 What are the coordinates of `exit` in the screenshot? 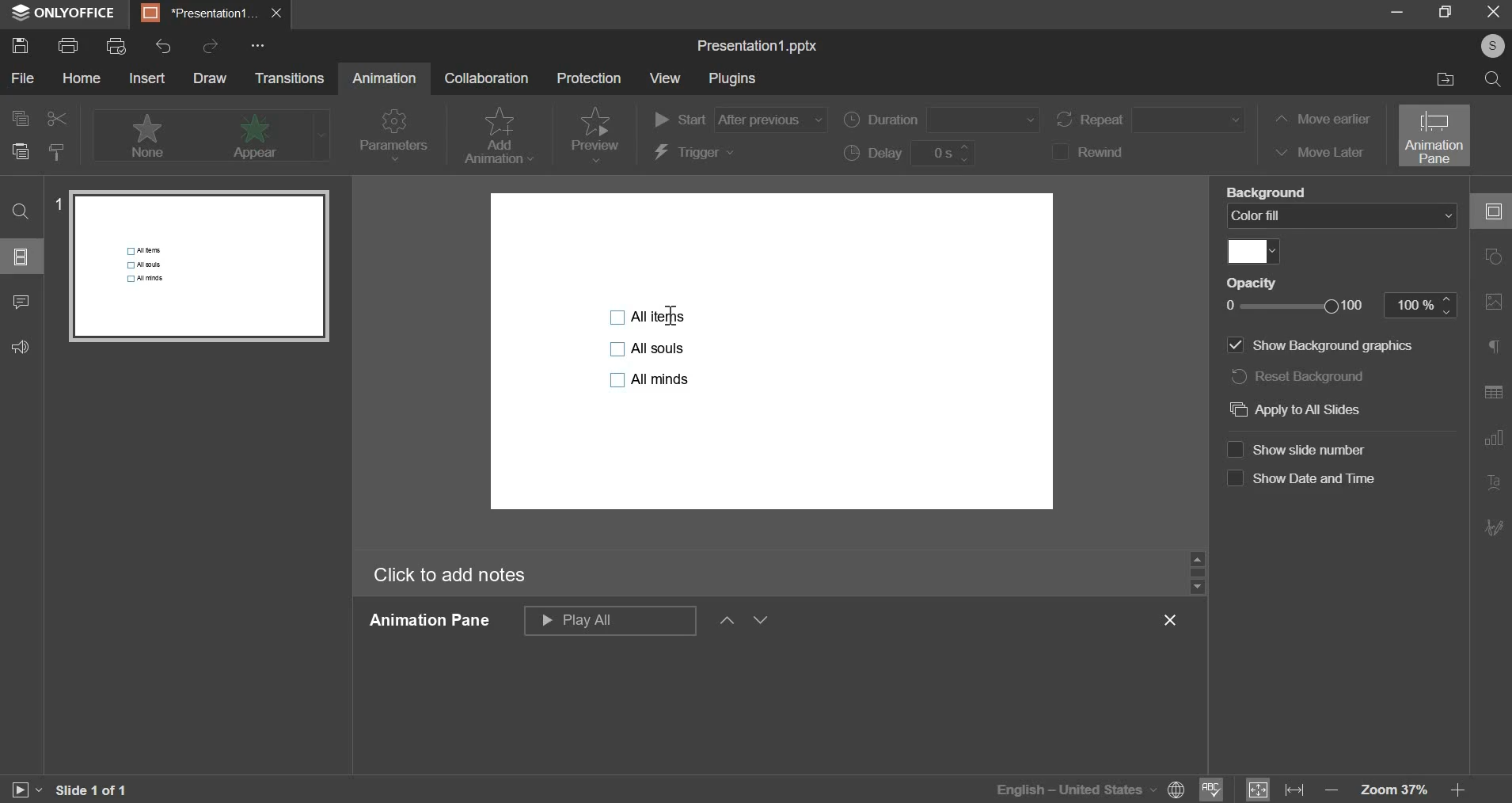 It's located at (1487, 15).